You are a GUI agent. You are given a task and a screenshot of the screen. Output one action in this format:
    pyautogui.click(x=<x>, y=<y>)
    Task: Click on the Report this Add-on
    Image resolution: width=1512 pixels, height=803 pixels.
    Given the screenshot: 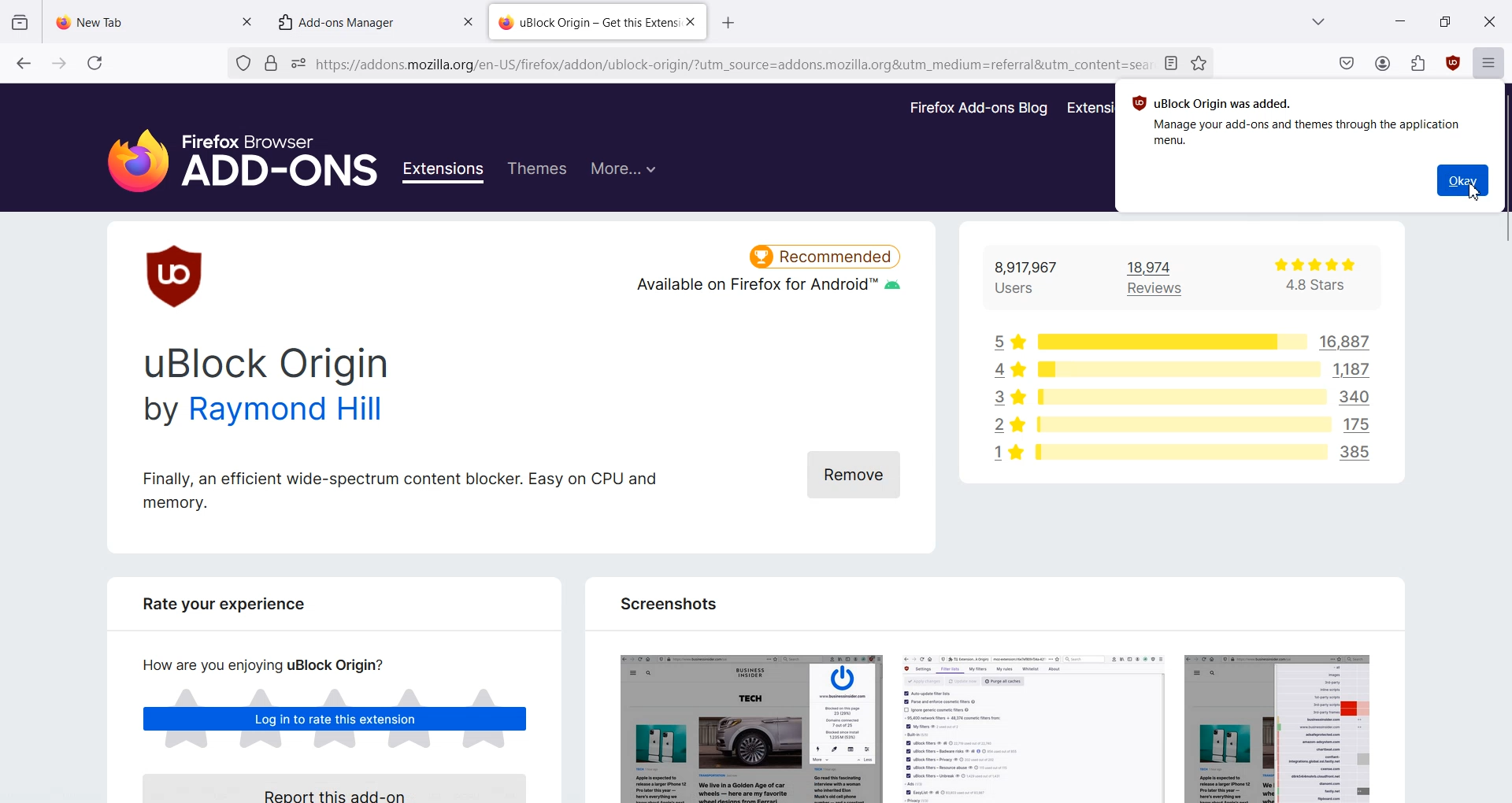 What is the action you would take?
    pyautogui.click(x=344, y=786)
    